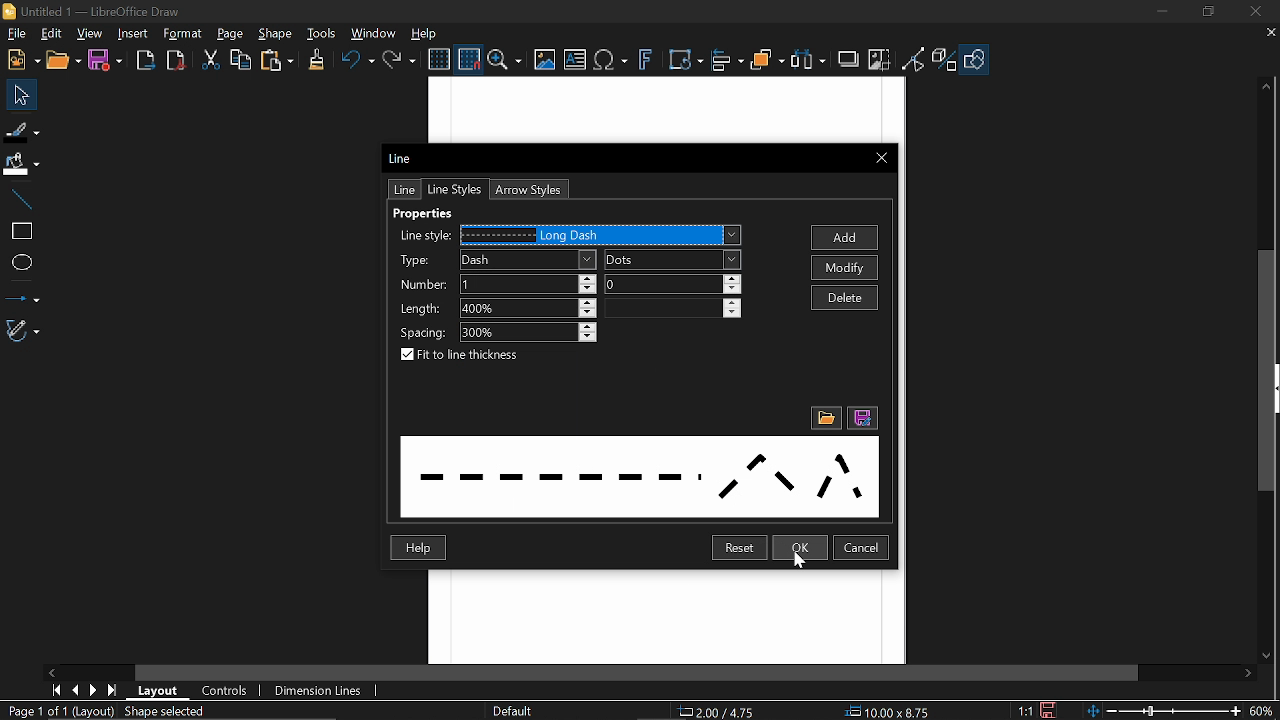 The image size is (1280, 720). I want to click on Edit, so click(53, 34).